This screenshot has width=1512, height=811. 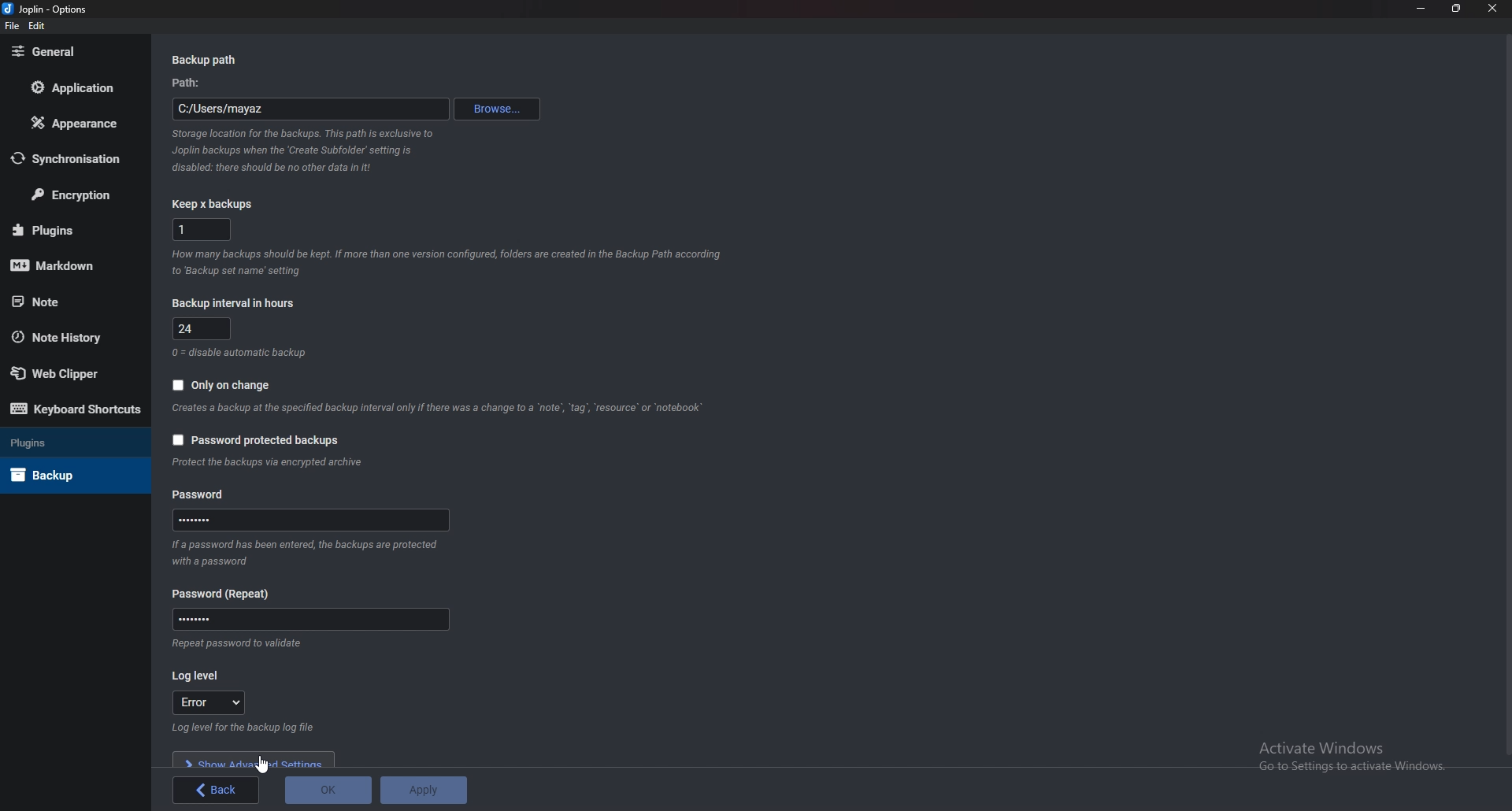 What do you see at coordinates (1458, 8) in the screenshot?
I see `Resize` at bounding box center [1458, 8].